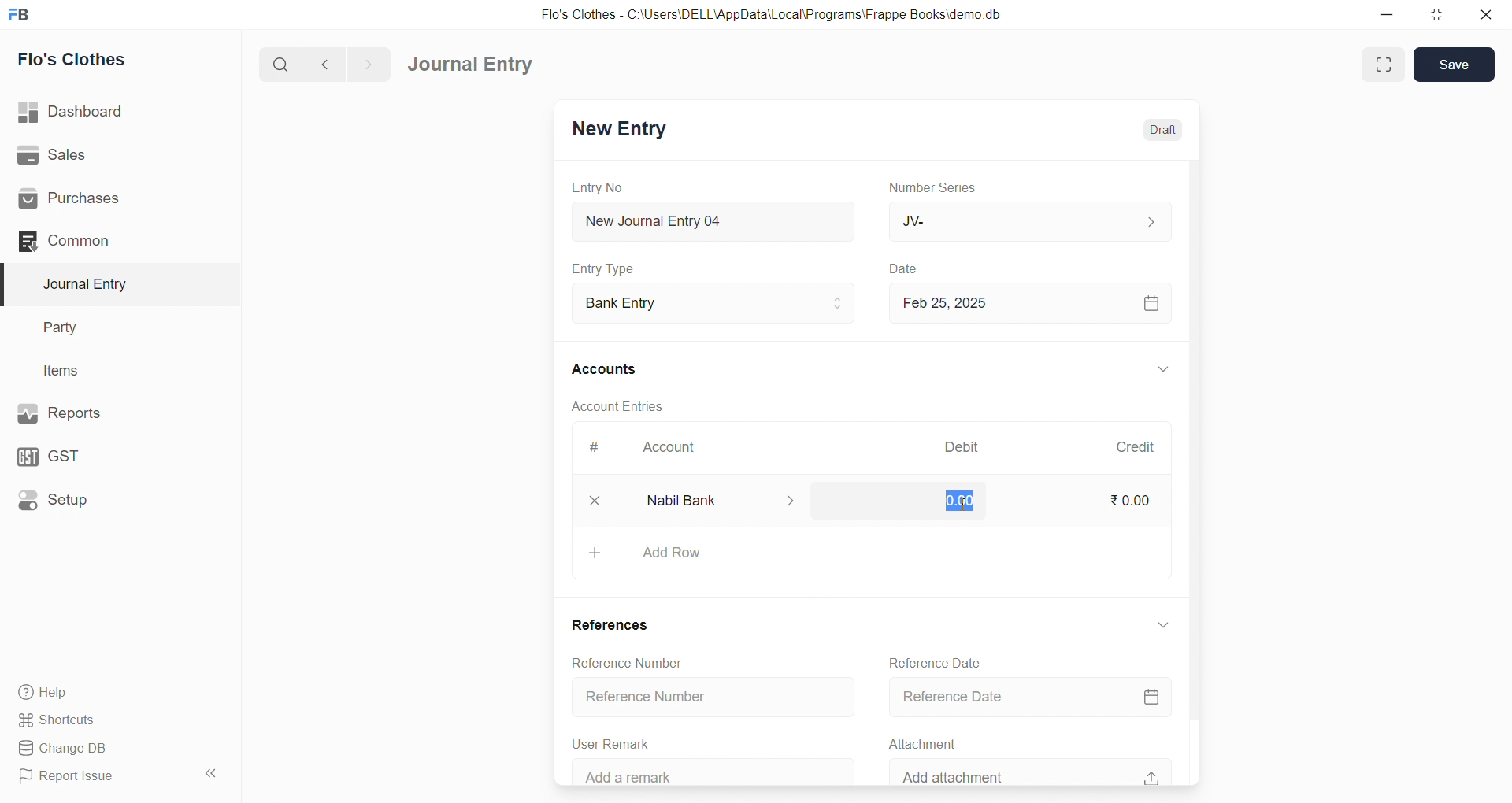 This screenshot has height=803, width=1512. I want to click on Scroll bar, so click(1191, 472).